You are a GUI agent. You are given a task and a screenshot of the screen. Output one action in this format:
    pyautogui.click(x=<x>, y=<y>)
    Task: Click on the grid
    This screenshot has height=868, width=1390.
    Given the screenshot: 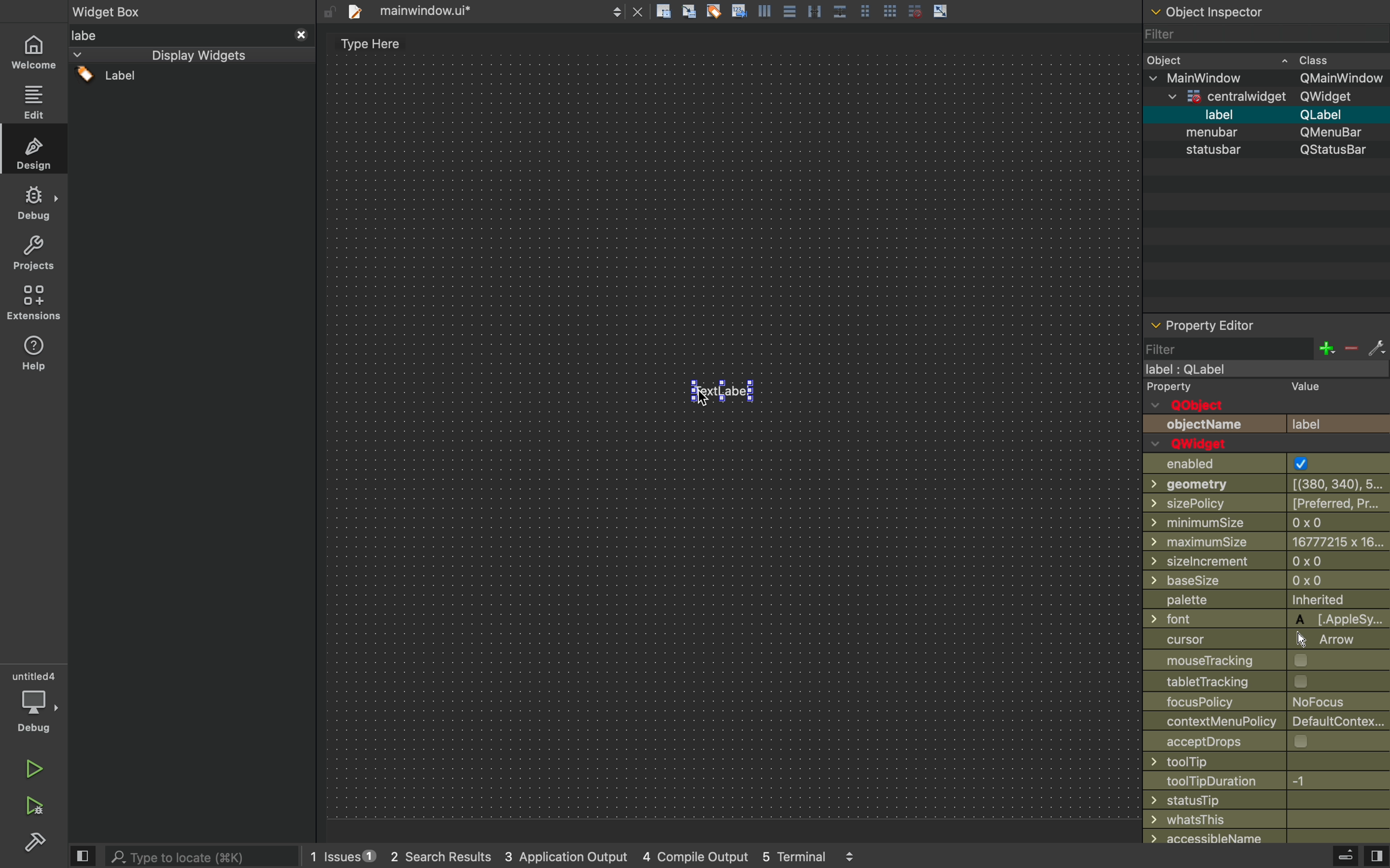 What is the action you would take?
    pyautogui.click(x=914, y=11)
    